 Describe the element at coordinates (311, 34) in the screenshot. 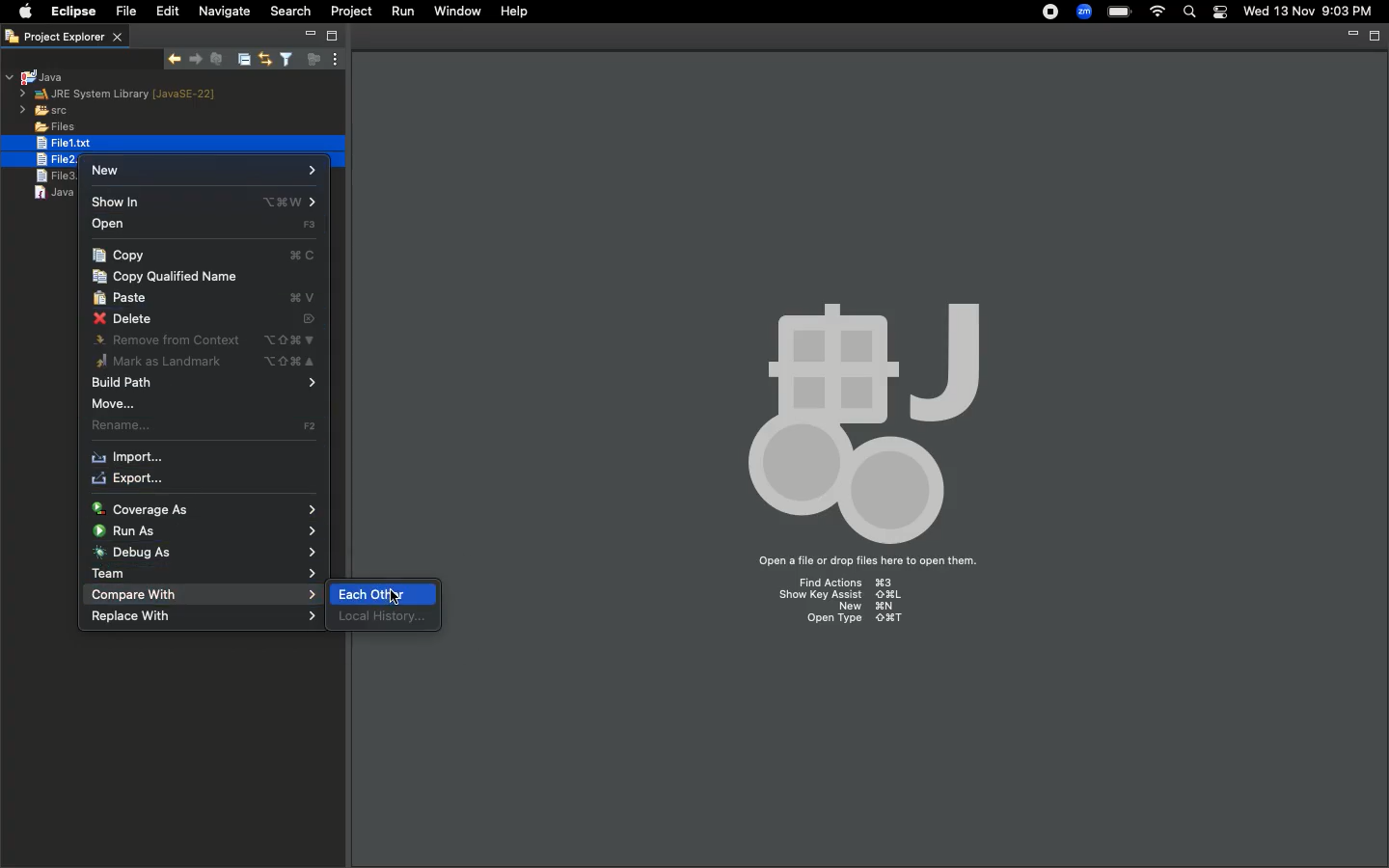

I see `Minimize` at that location.